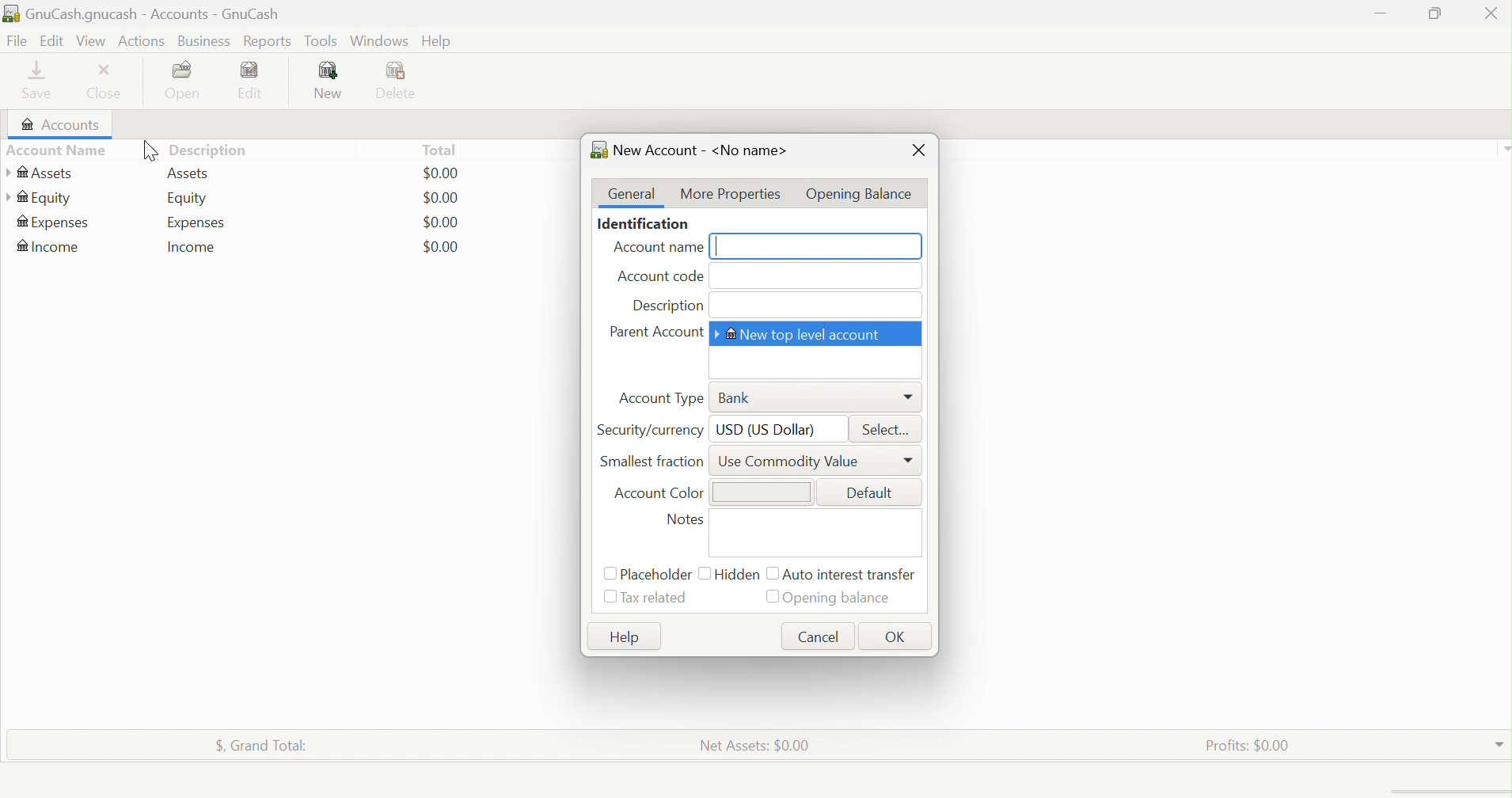  I want to click on $0.00, so click(441, 246).